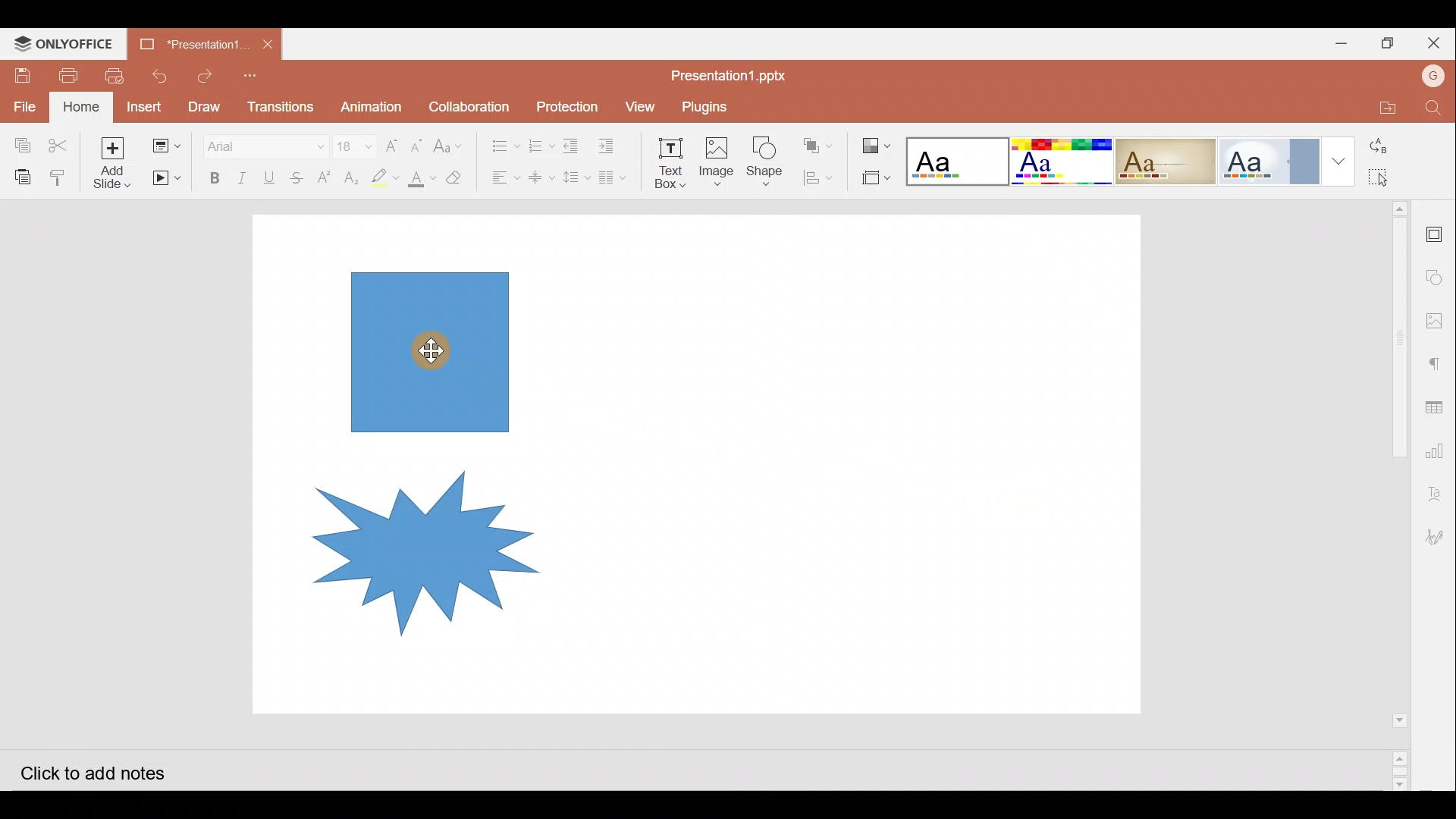 This screenshot has height=819, width=1456. Describe the element at coordinates (715, 104) in the screenshot. I see `Plugins` at that location.